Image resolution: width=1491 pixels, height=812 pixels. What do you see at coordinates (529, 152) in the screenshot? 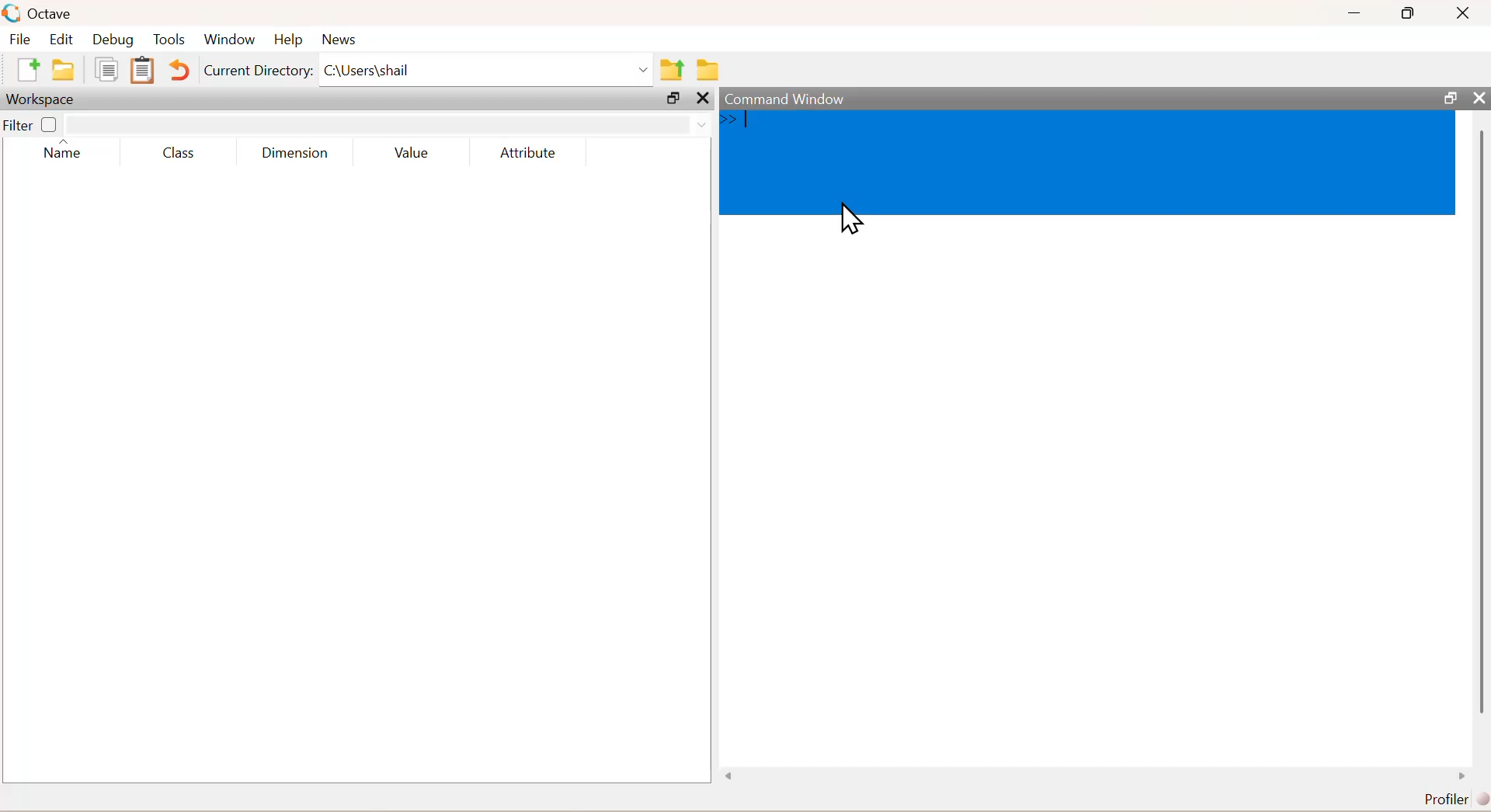
I see `Attribute` at bounding box center [529, 152].